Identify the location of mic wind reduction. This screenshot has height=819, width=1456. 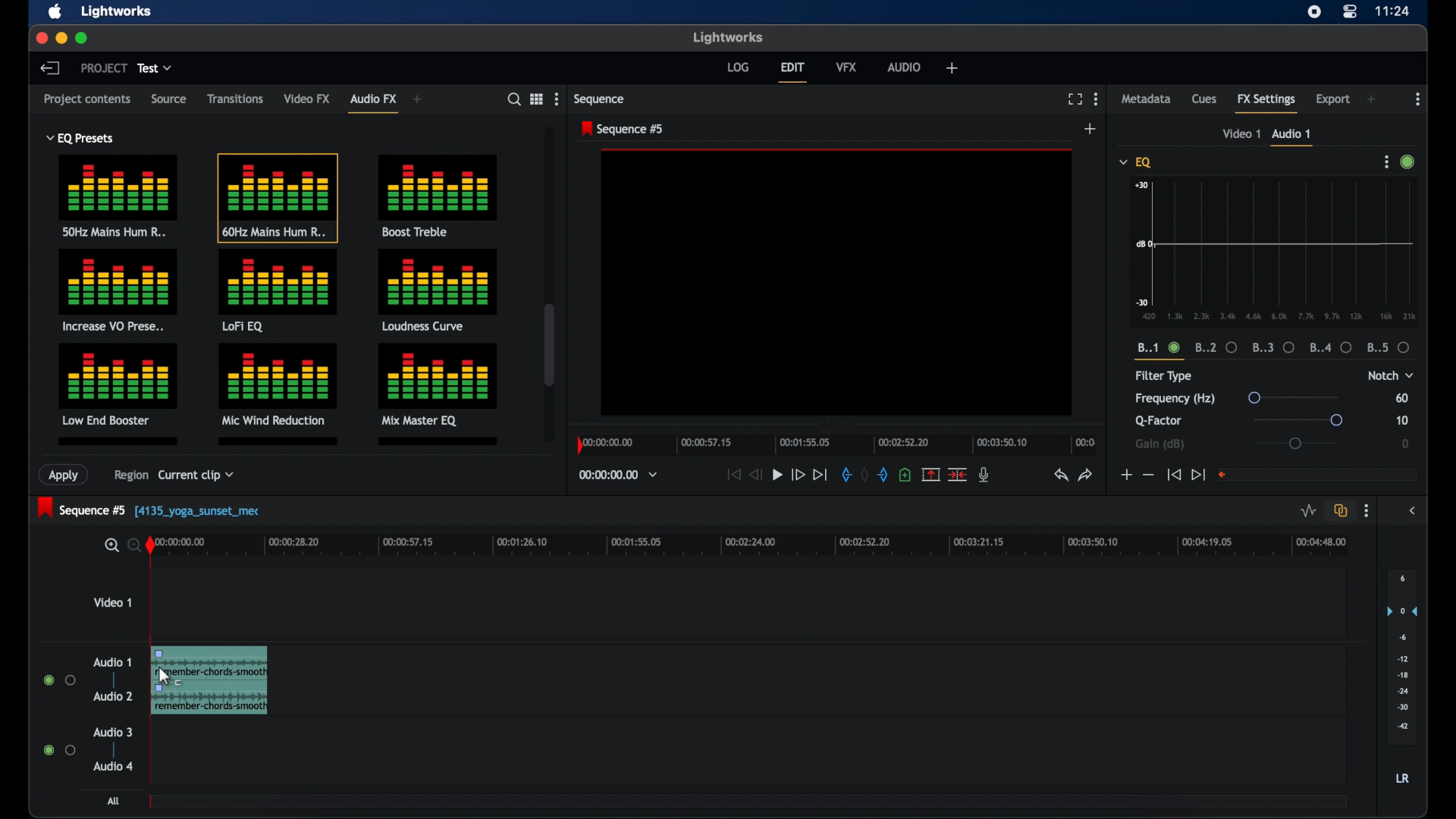
(277, 384).